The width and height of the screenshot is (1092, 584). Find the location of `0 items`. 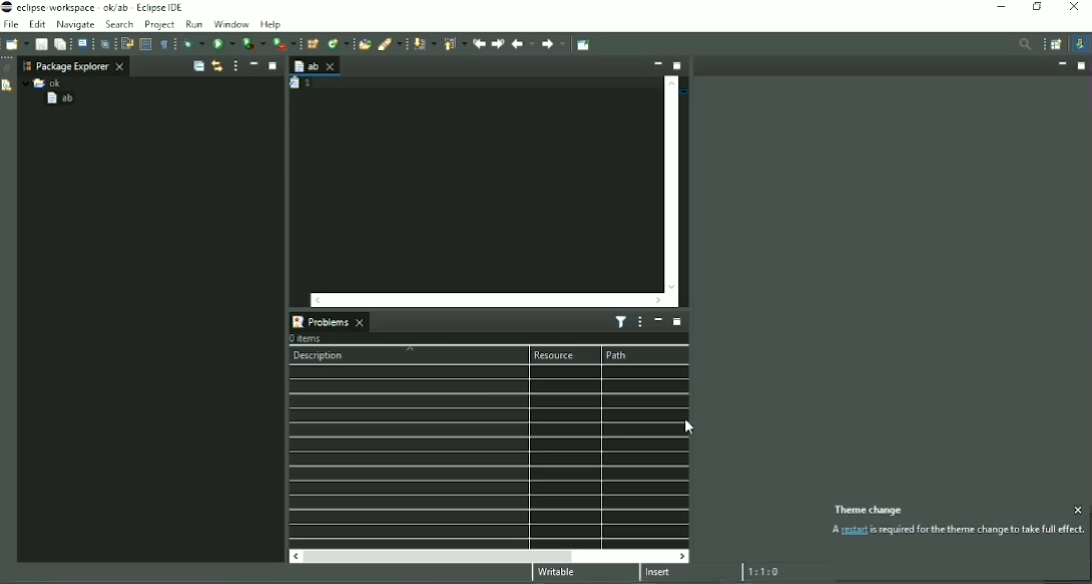

0 items is located at coordinates (305, 339).